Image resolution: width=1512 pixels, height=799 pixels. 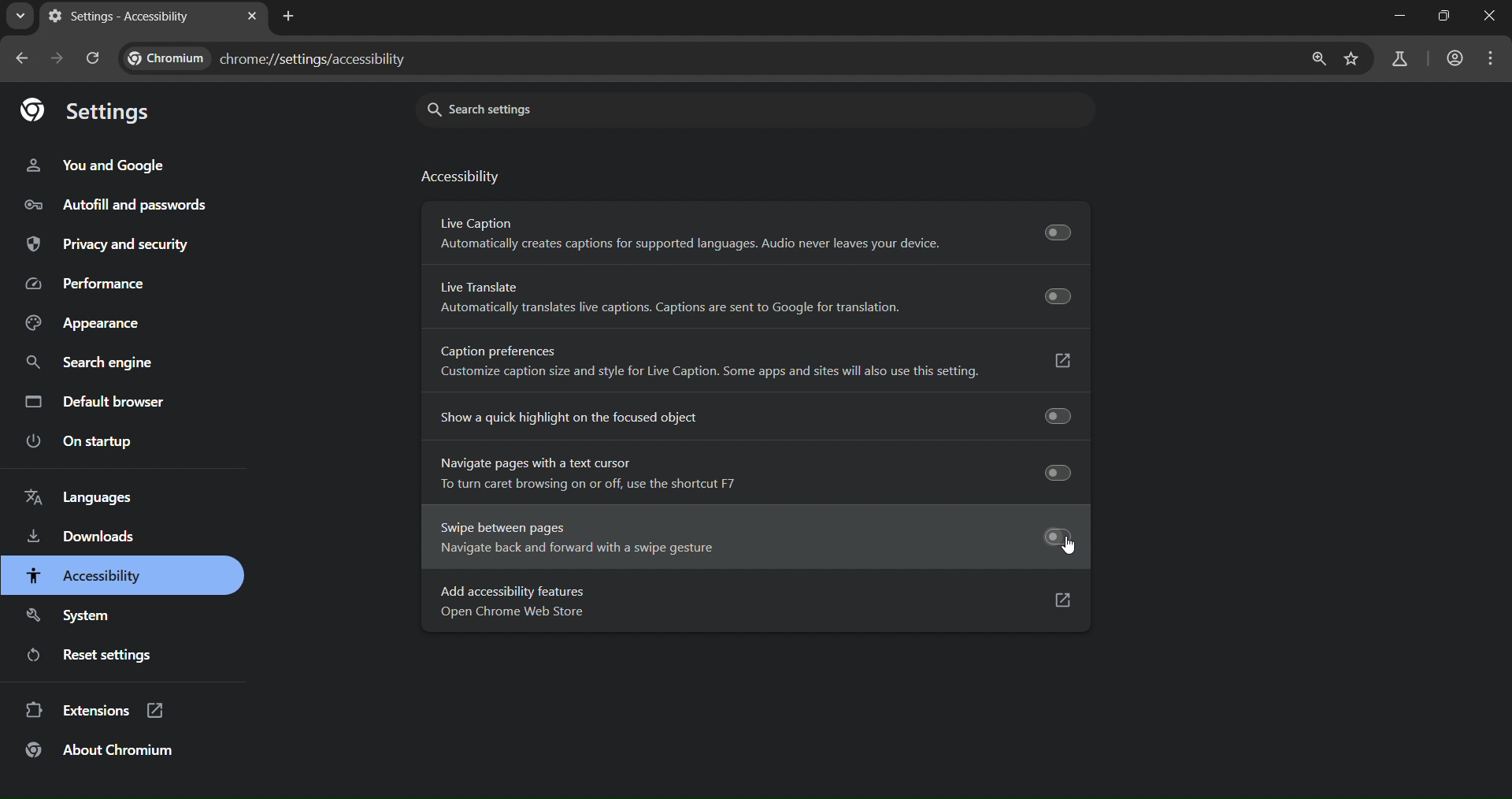 I want to click on downloads, so click(x=80, y=537).